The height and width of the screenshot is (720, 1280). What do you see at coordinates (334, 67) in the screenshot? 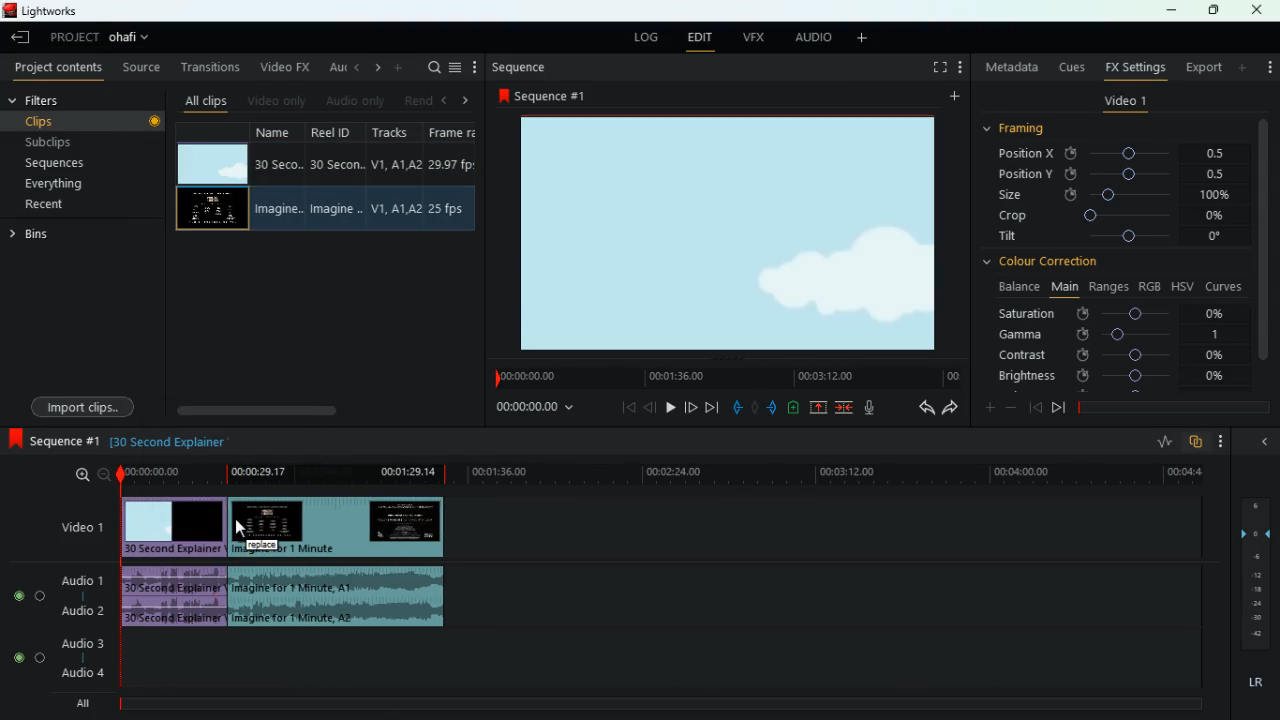
I see `au` at bounding box center [334, 67].